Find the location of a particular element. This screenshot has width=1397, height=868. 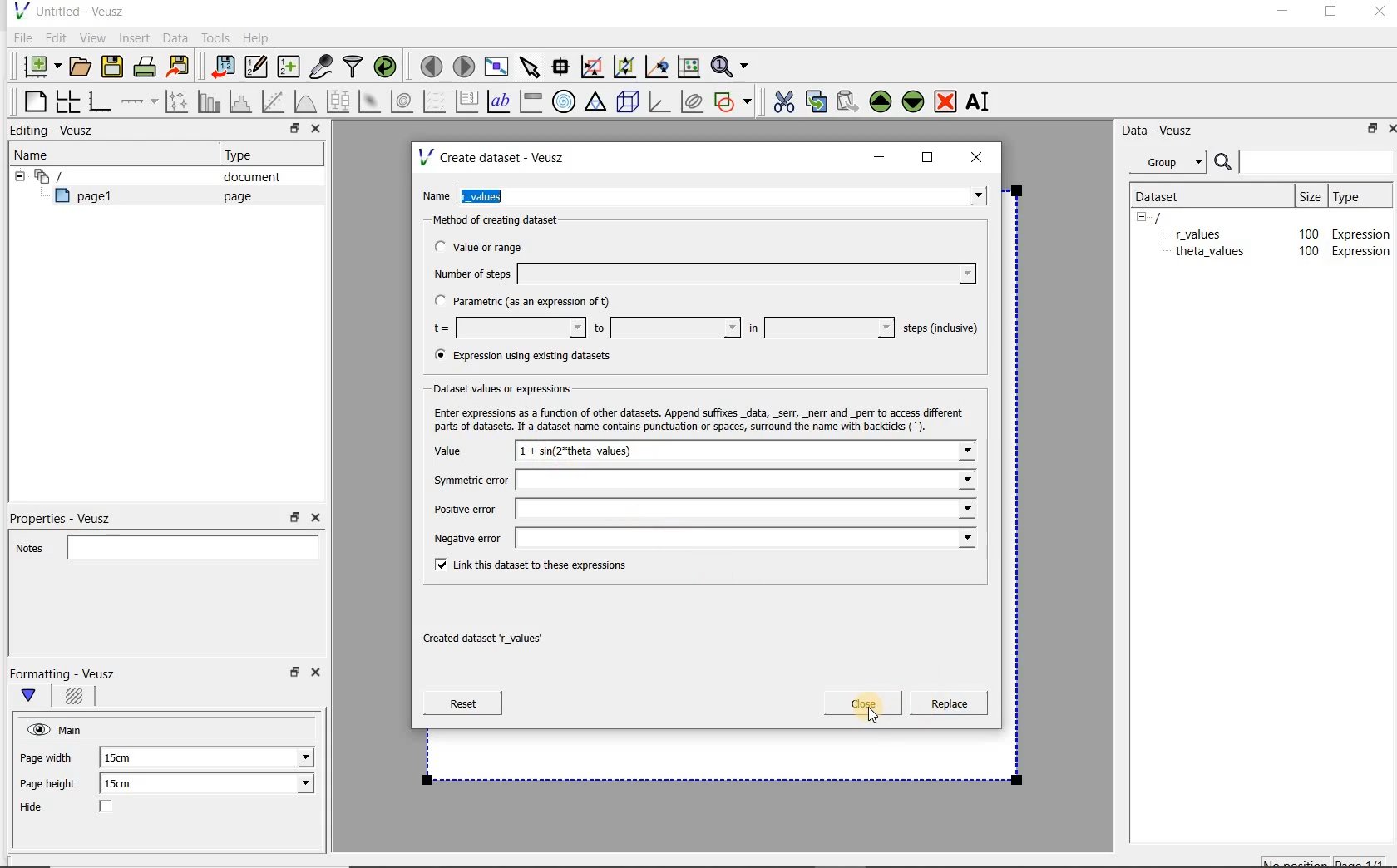

Edit is located at coordinates (55, 37).